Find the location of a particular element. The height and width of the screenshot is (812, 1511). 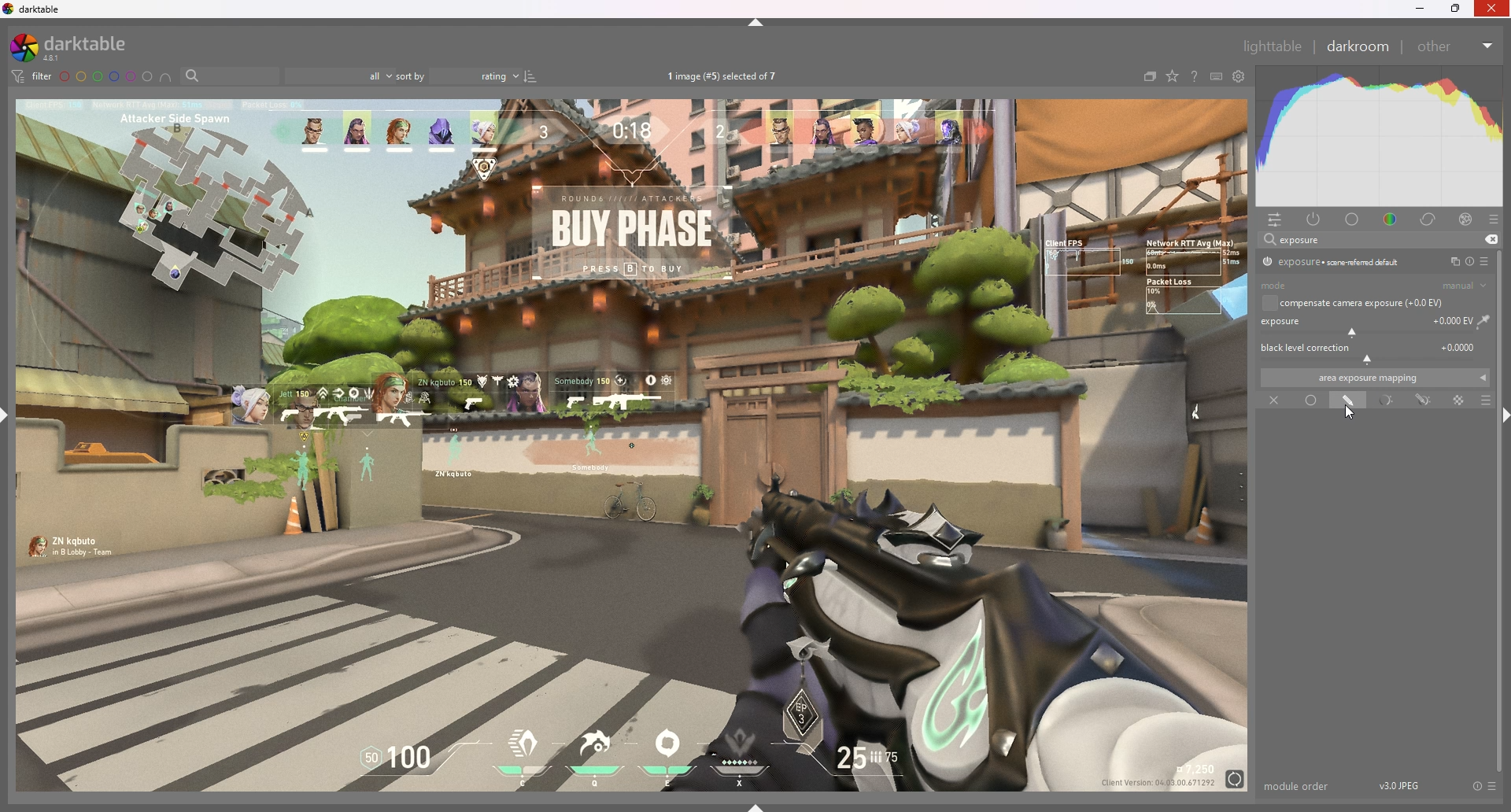

 is located at coordinates (1493, 9).